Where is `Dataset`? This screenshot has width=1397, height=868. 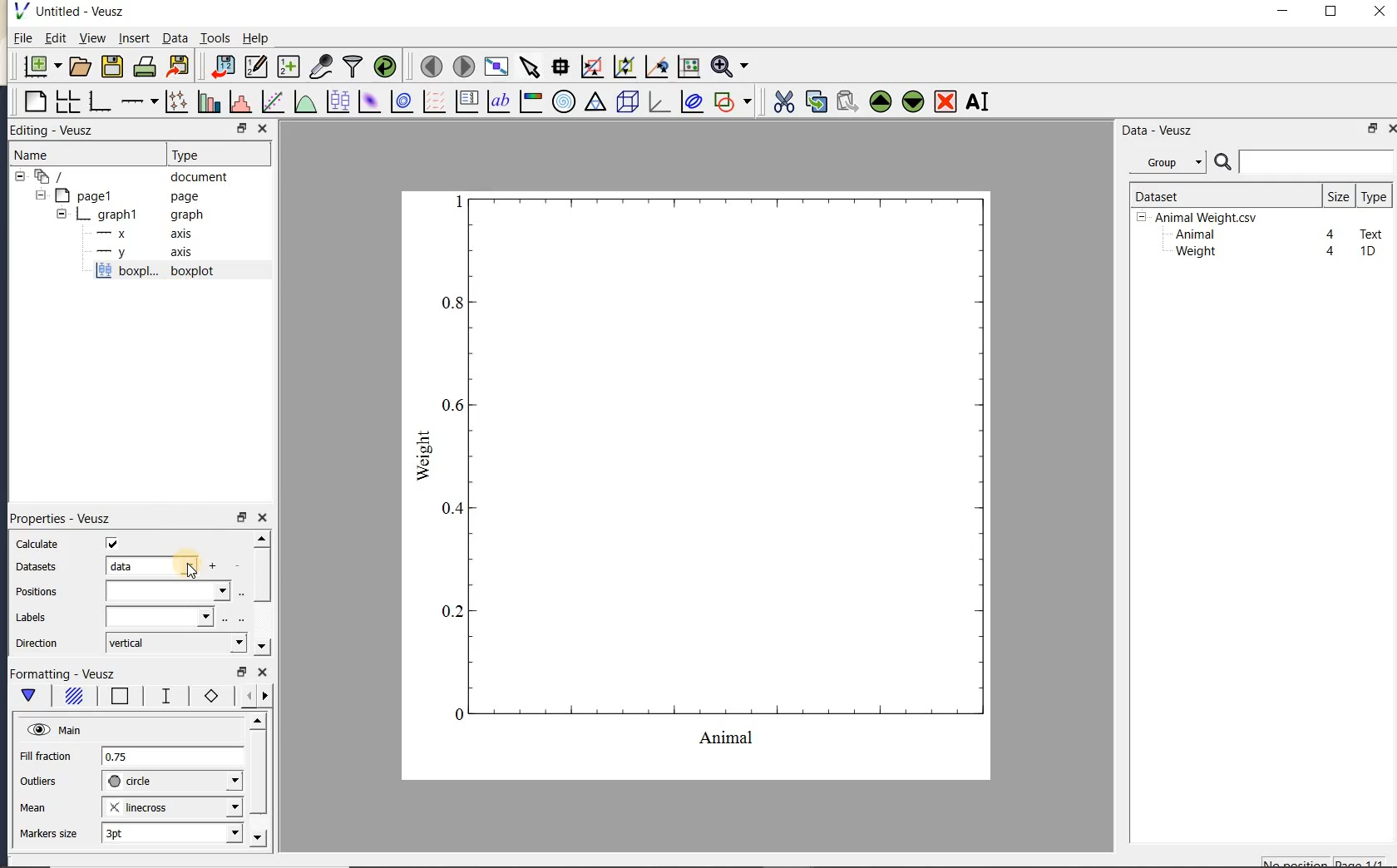 Dataset is located at coordinates (1218, 195).